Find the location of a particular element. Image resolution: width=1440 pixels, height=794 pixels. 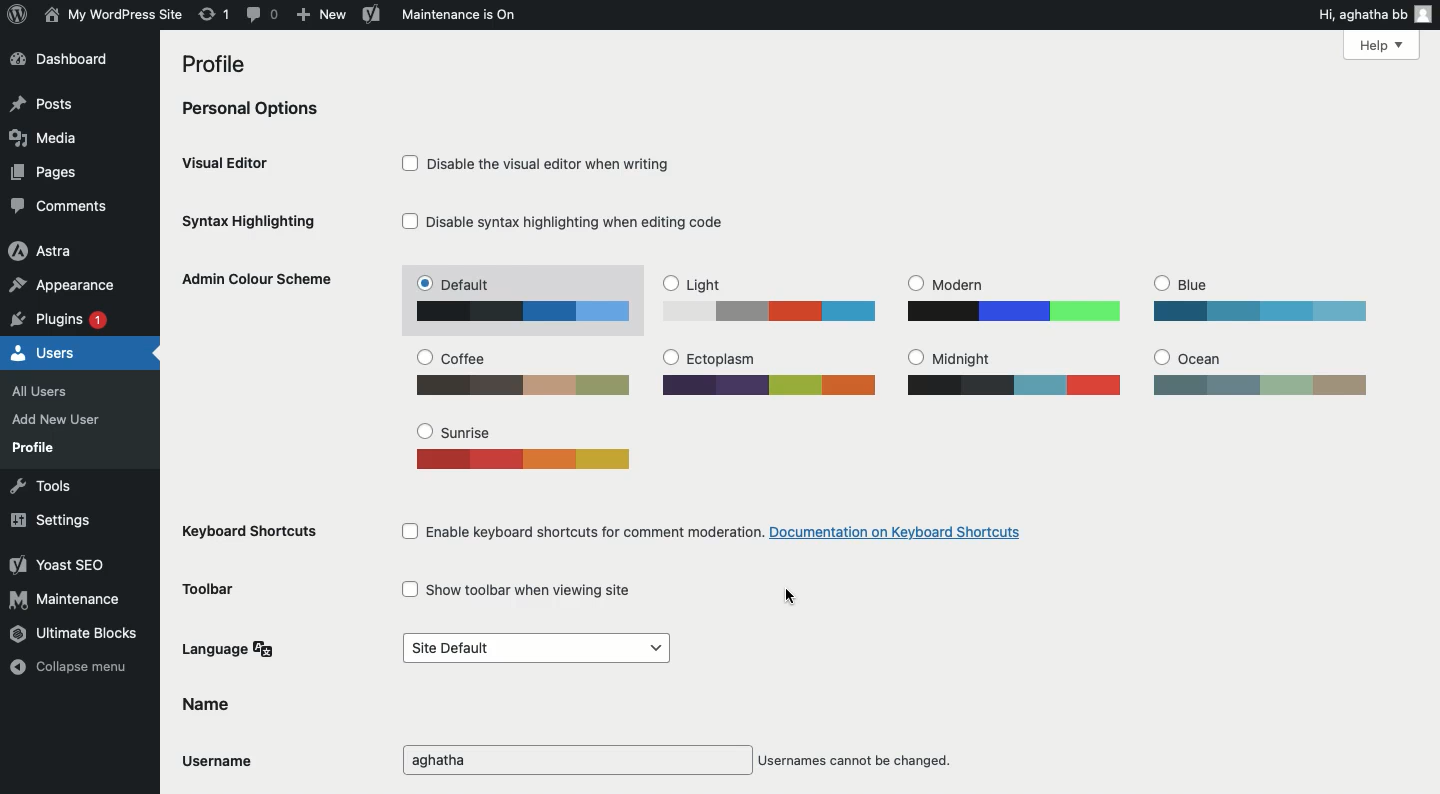

Help is located at coordinates (1381, 46).